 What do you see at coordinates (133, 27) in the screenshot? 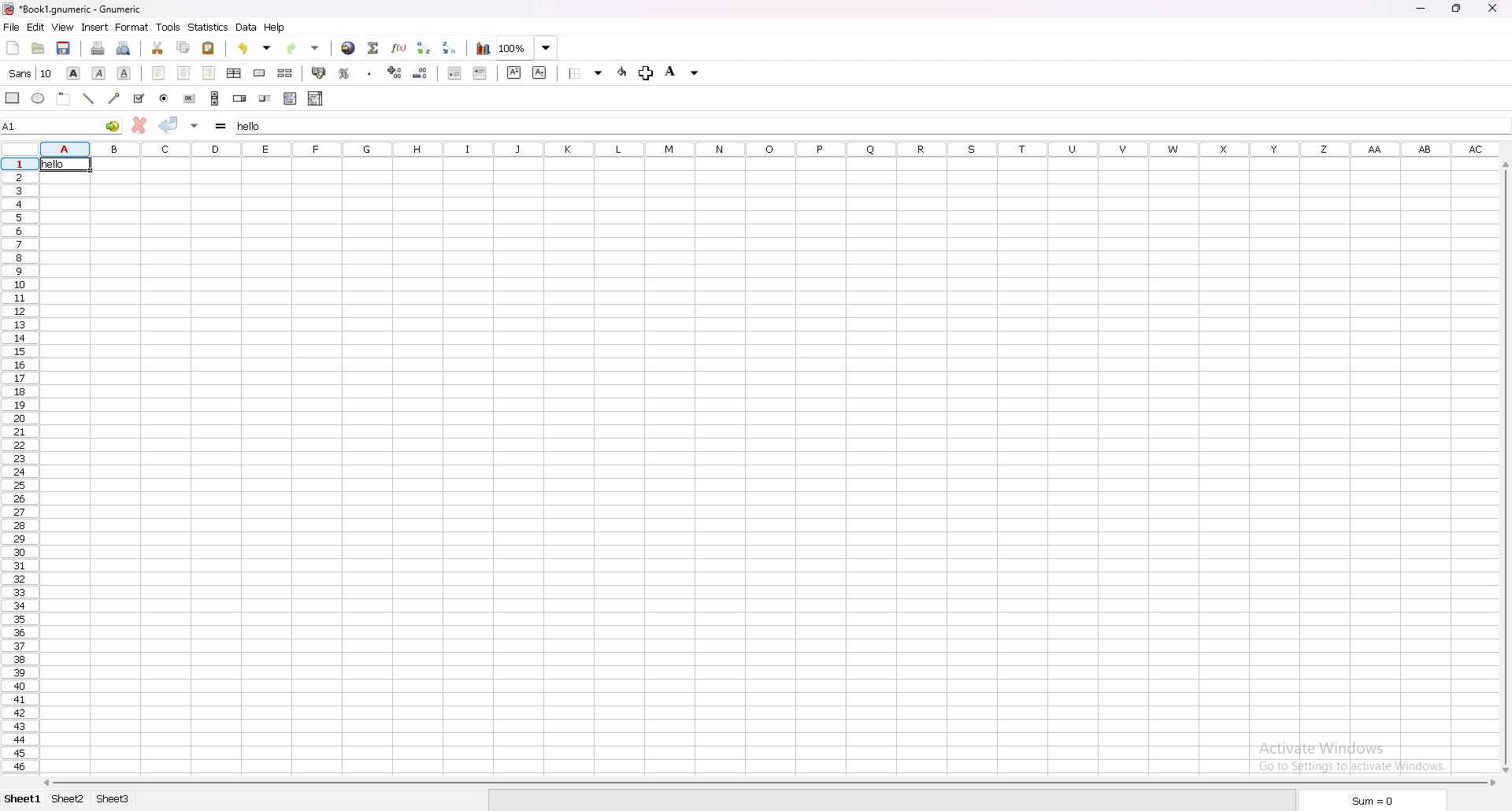
I see `format` at bounding box center [133, 27].